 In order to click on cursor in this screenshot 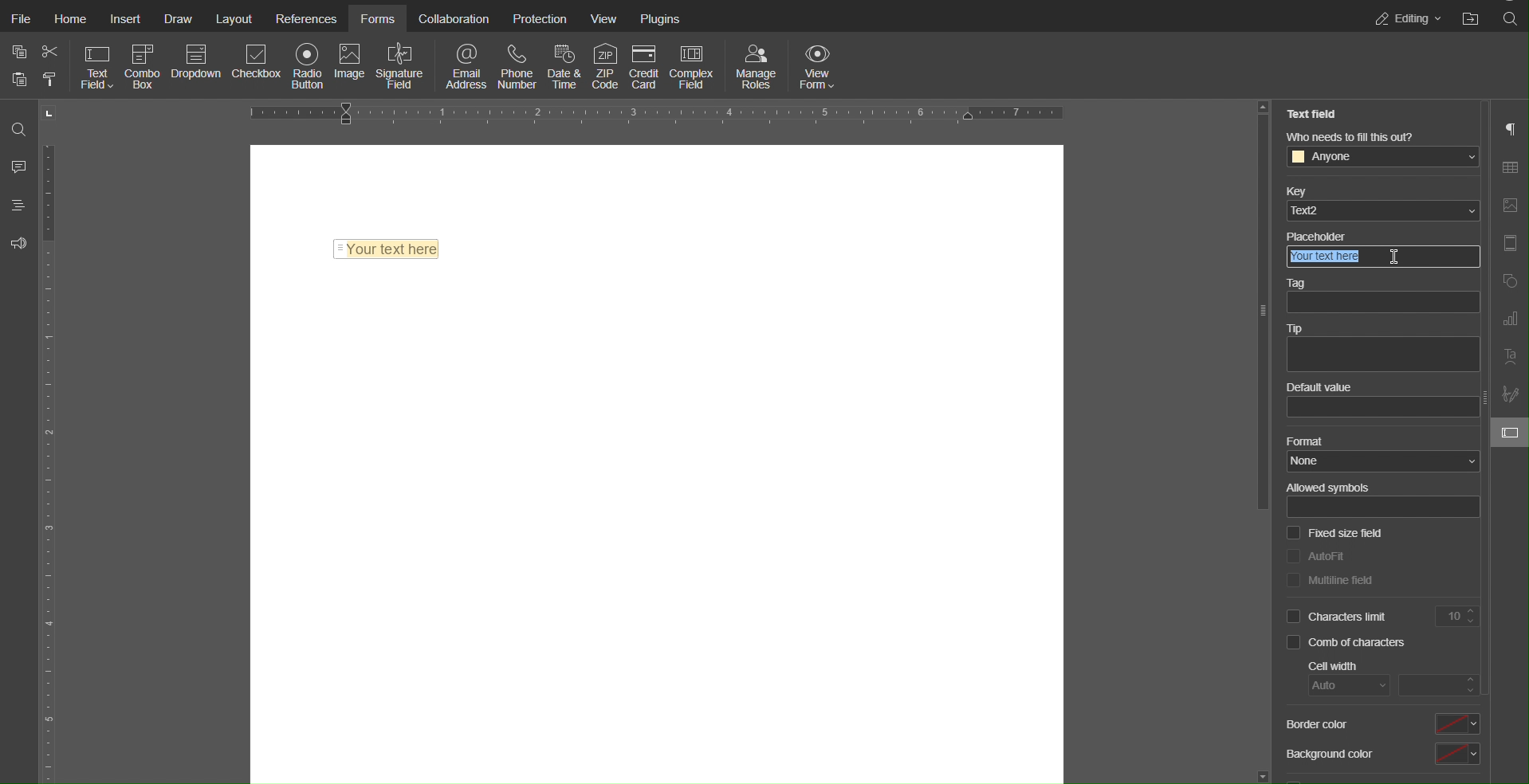, I will do `click(1401, 257)`.